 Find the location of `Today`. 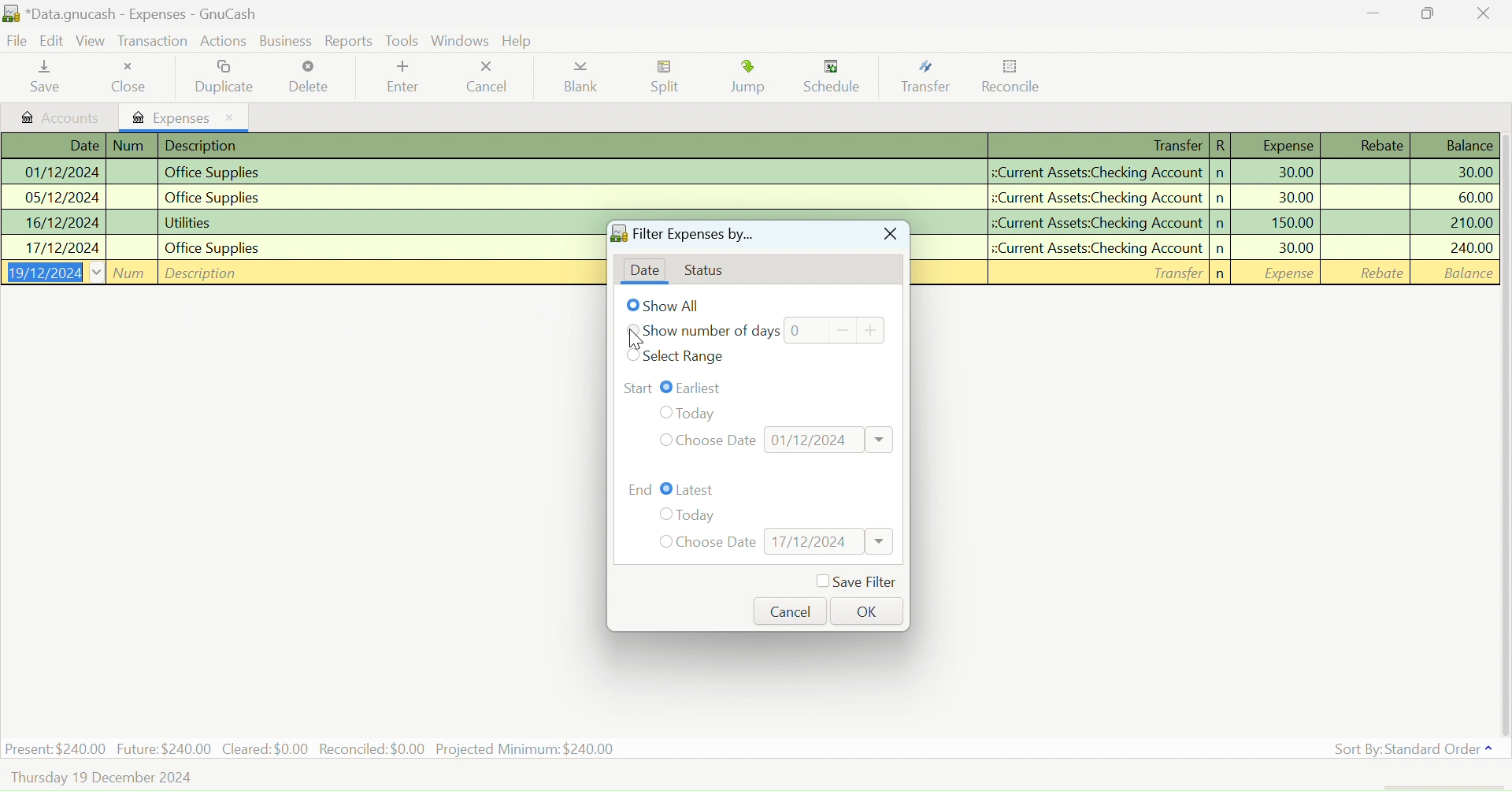

Today is located at coordinates (698, 516).